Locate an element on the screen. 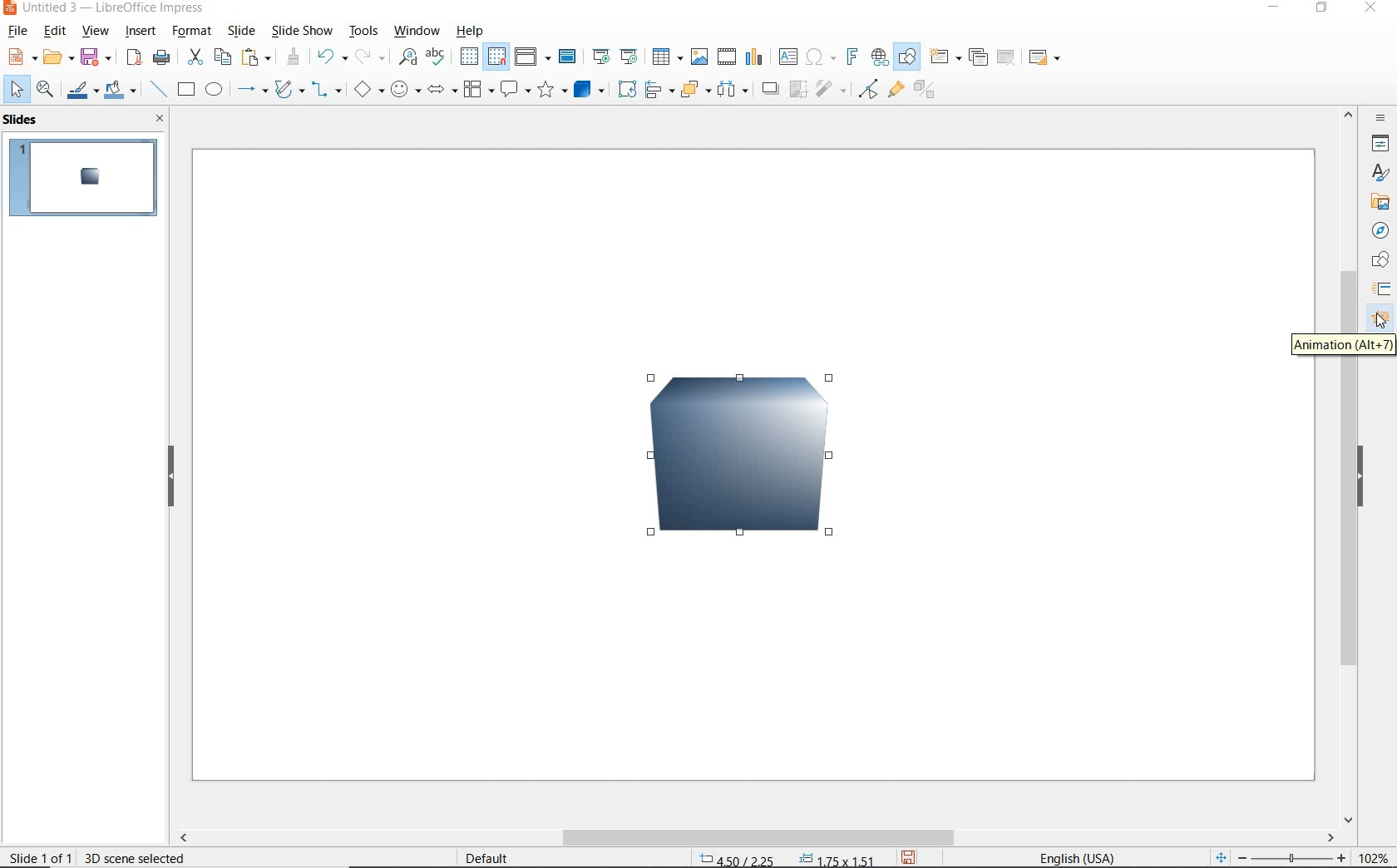 The image size is (1397, 868). filter is located at coordinates (830, 87).